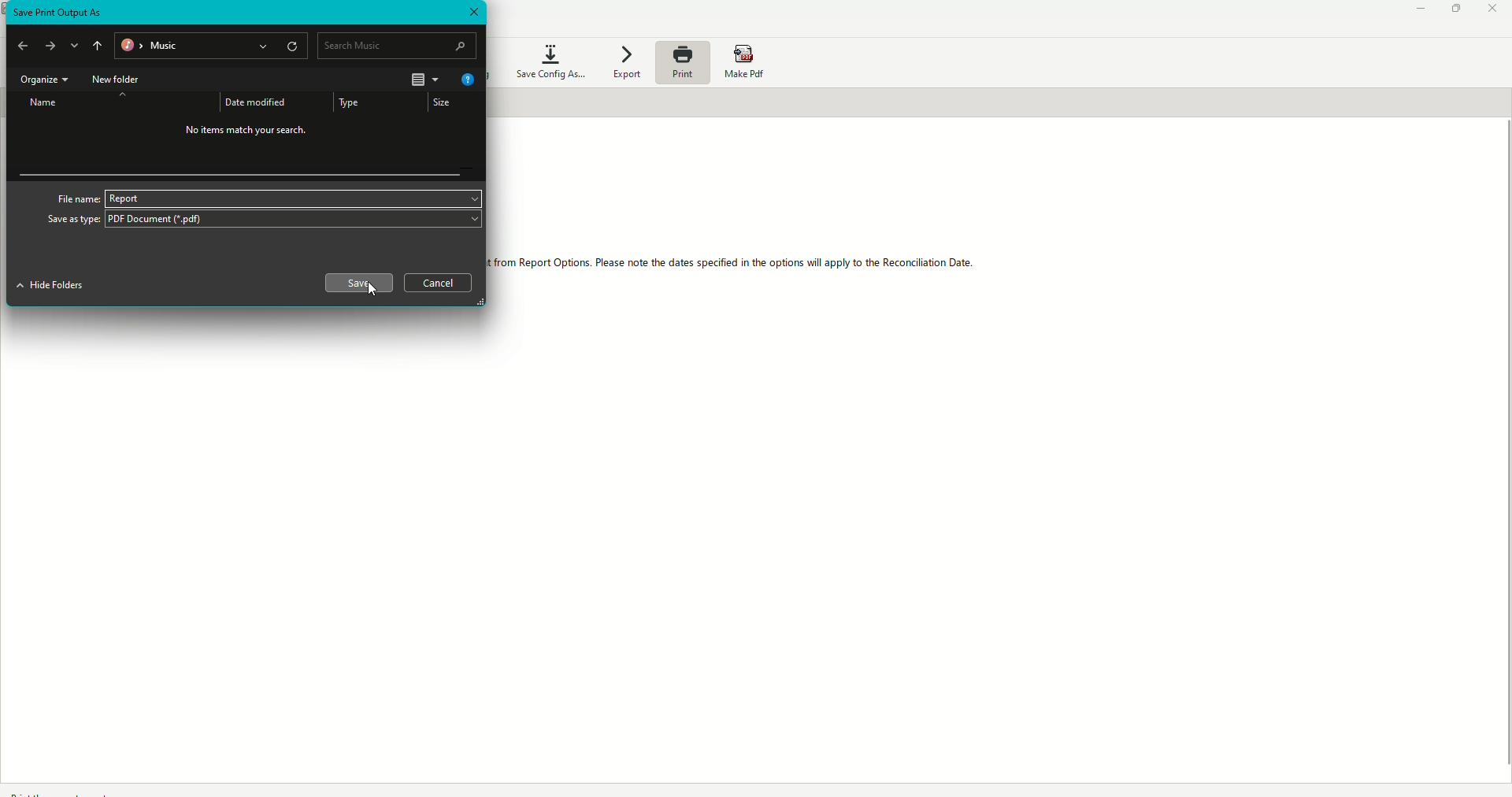 This screenshot has height=797, width=1512. I want to click on No items match, so click(248, 133).